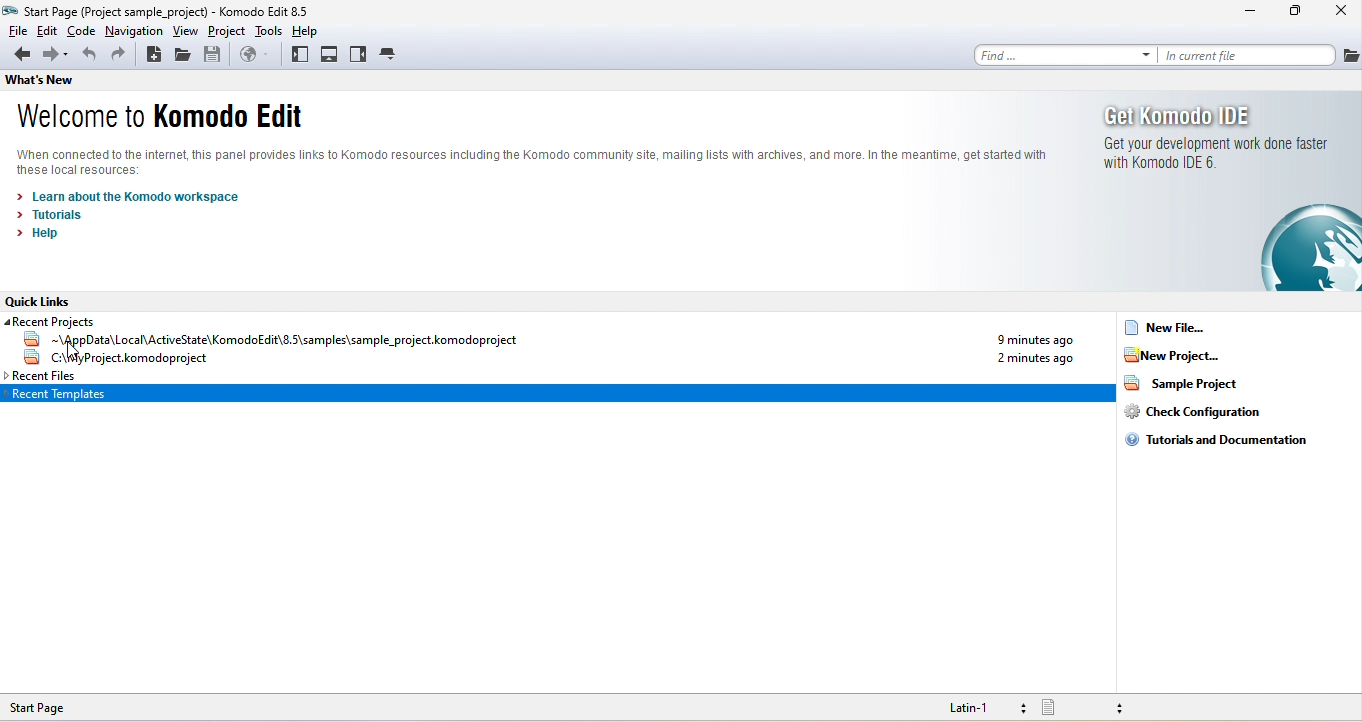 This screenshot has height=722, width=1362. Describe the element at coordinates (49, 32) in the screenshot. I see `edit` at that location.